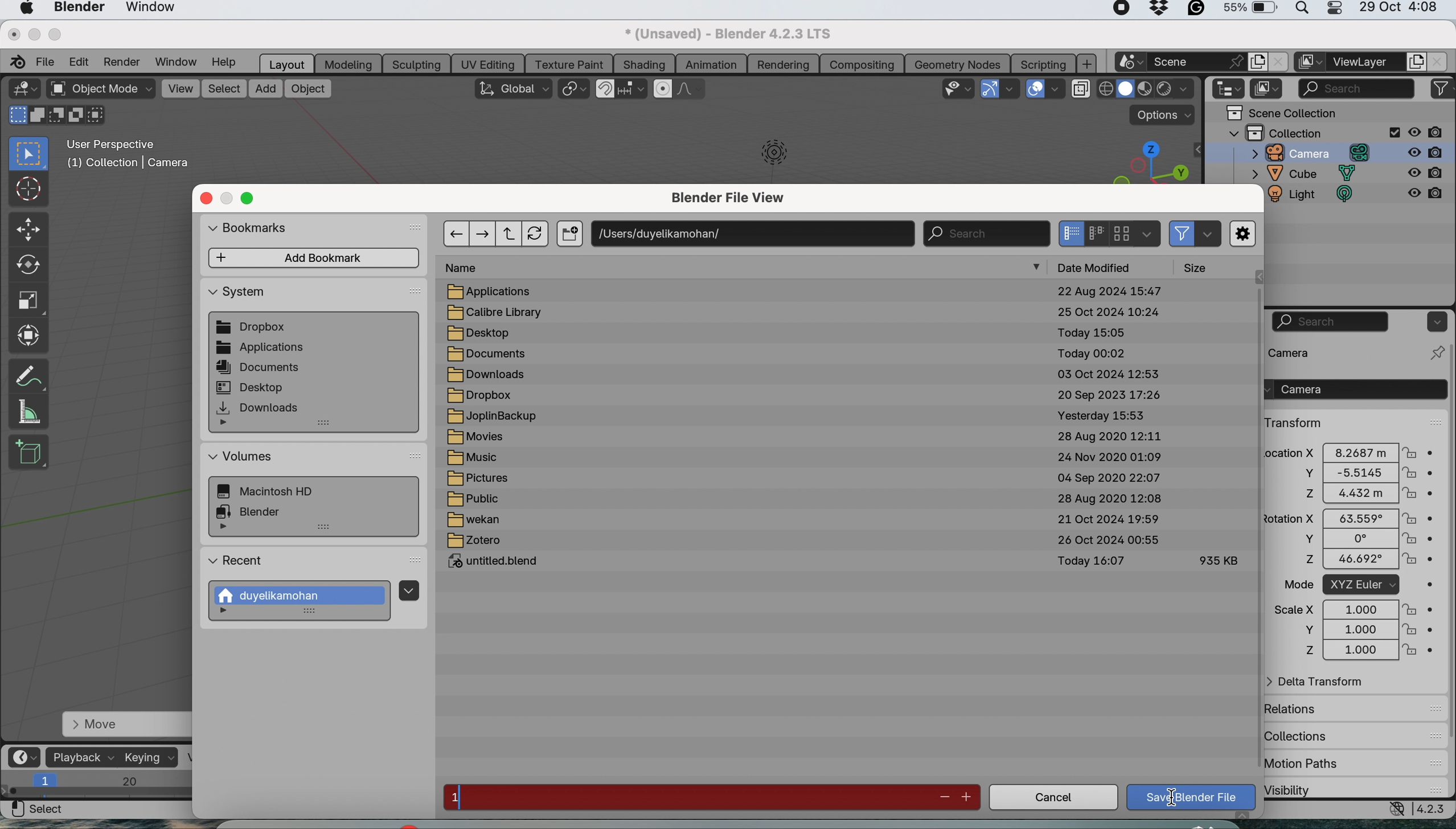 This screenshot has width=1456, height=829. What do you see at coordinates (1352, 609) in the screenshot?
I see `scale x 1.000` at bounding box center [1352, 609].